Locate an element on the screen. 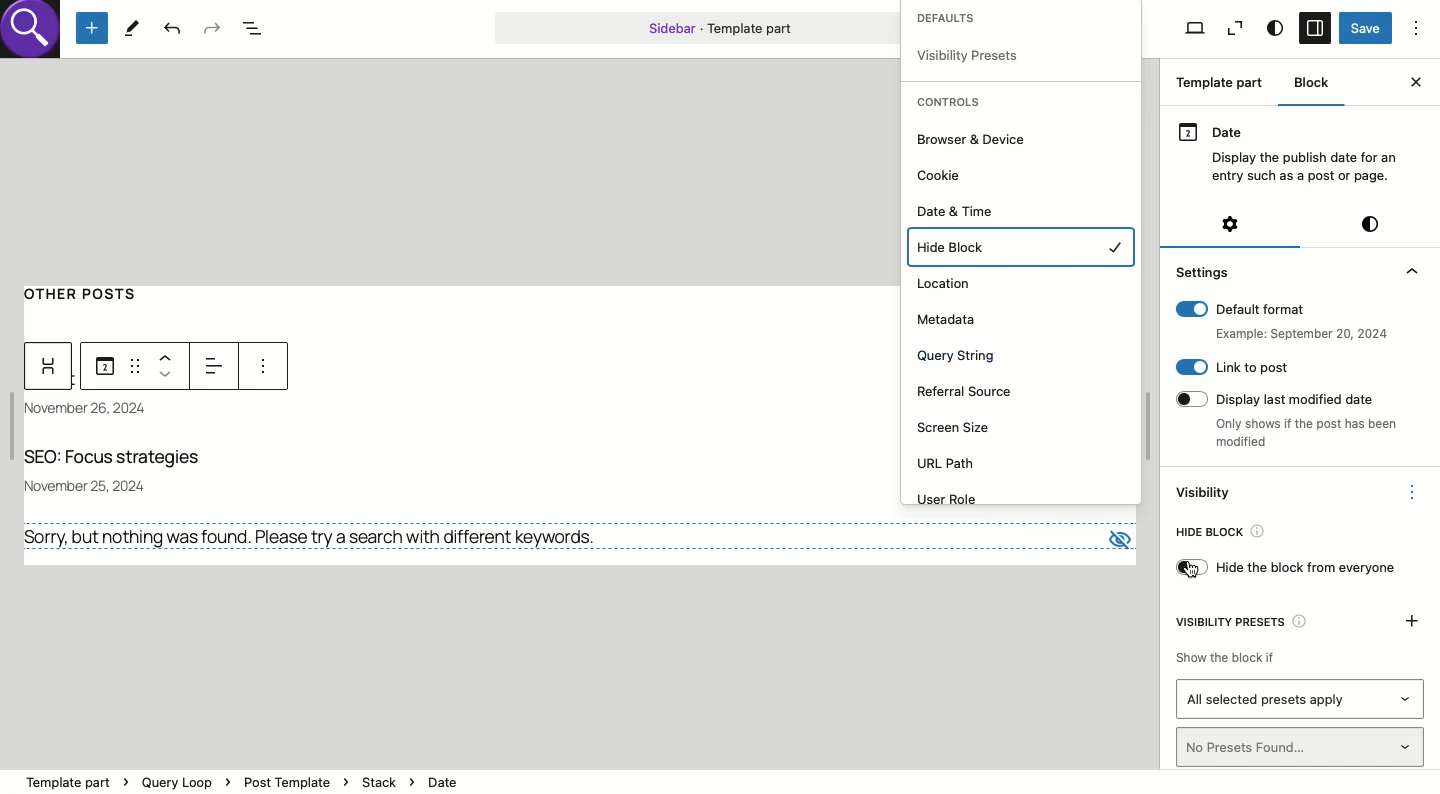 This screenshot has width=1440, height=794. Options is located at coordinates (1413, 490).